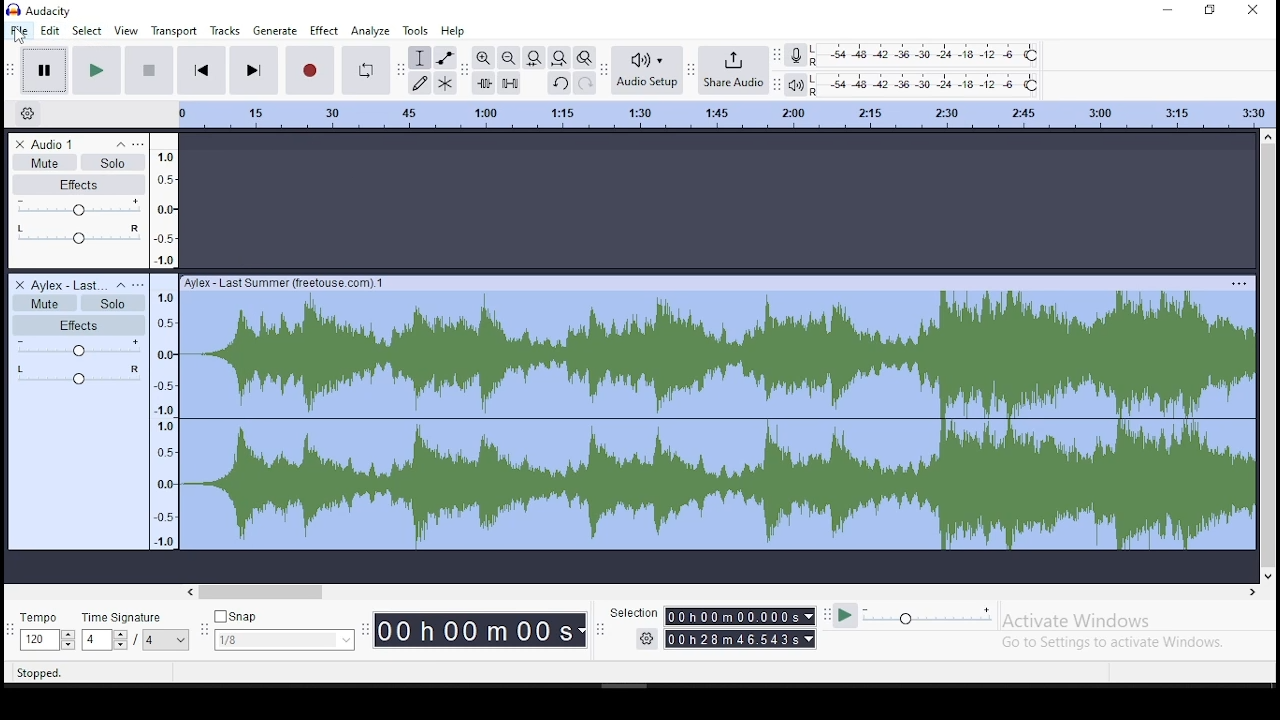 The height and width of the screenshot is (720, 1280). Describe the element at coordinates (926, 617) in the screenshot. I see `playback speed` at that location.